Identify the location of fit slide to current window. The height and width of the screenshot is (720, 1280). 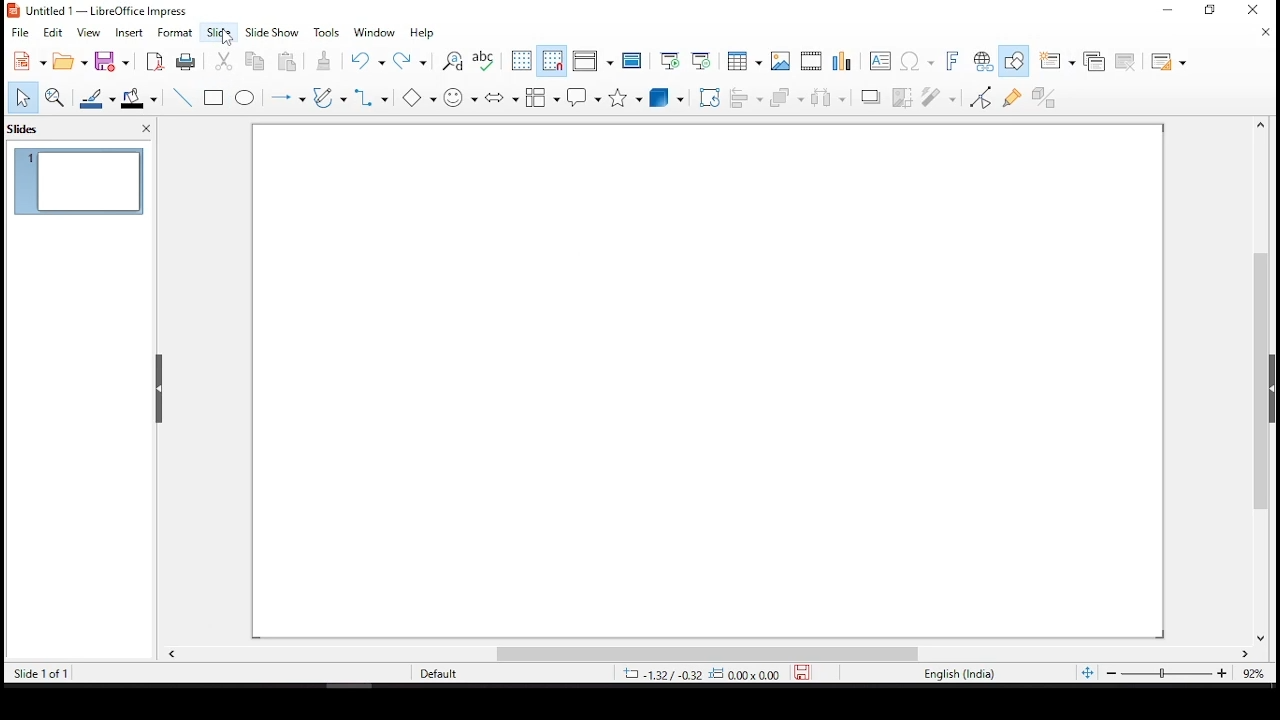
(1086, 674).